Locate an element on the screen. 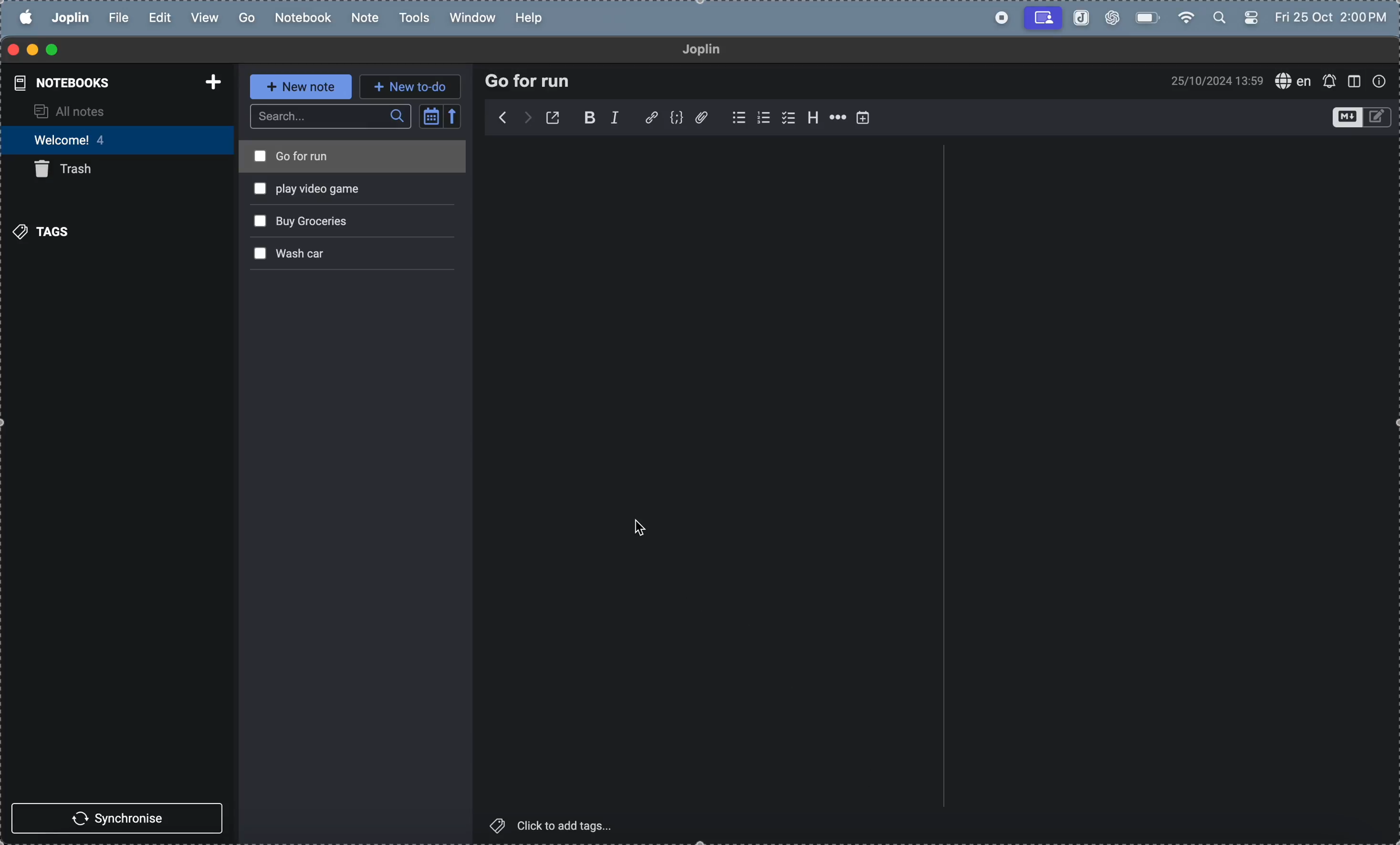  minimize is located at coordinates (33, 48).